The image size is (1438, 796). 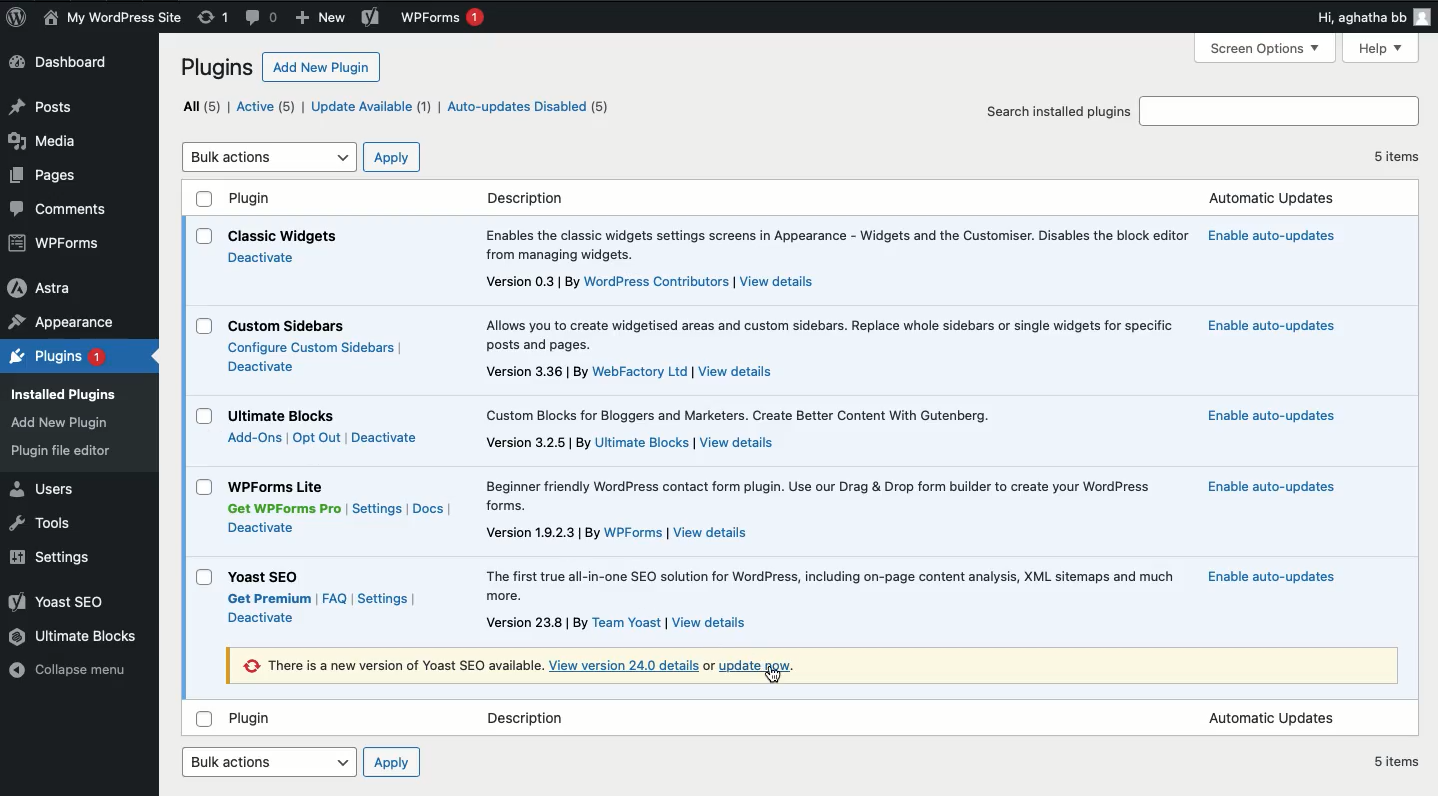 What do you see at coordinates (530, 719) in the screenshot?
I see `Description` at bounding box center [530, 719].